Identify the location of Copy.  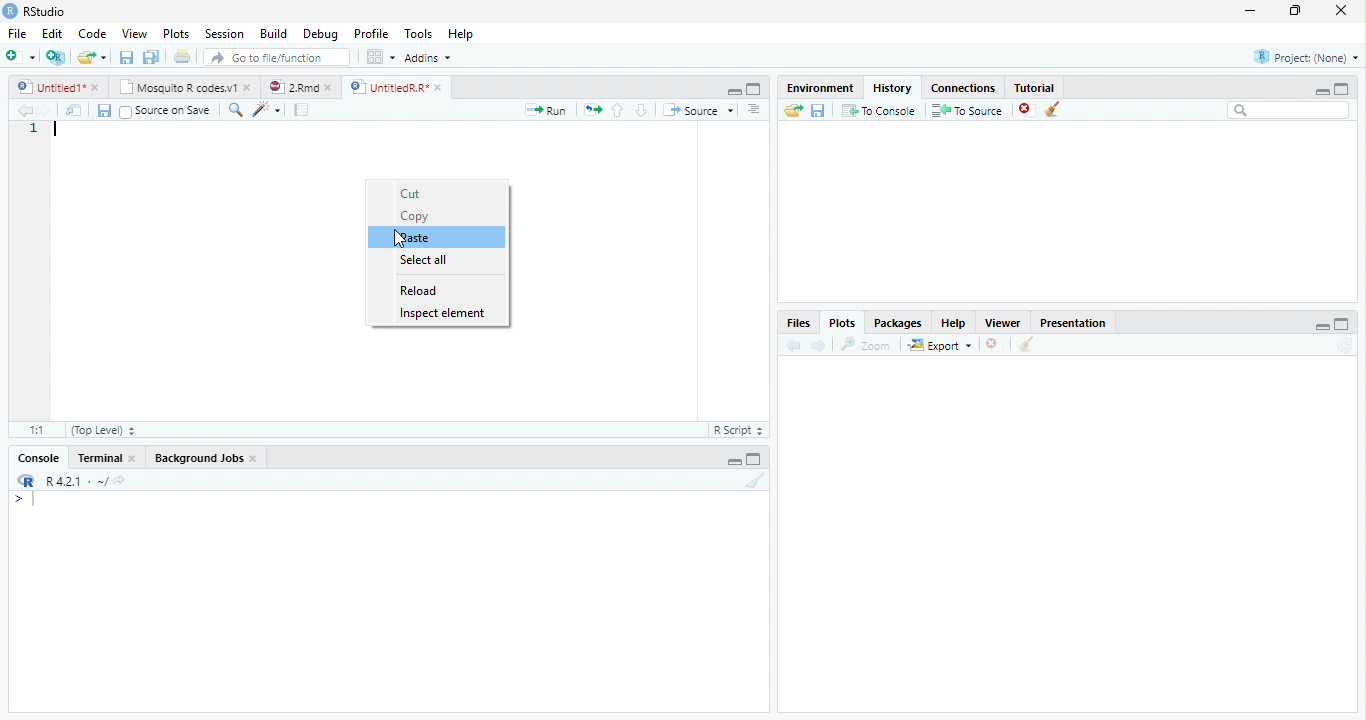
(436, 215).